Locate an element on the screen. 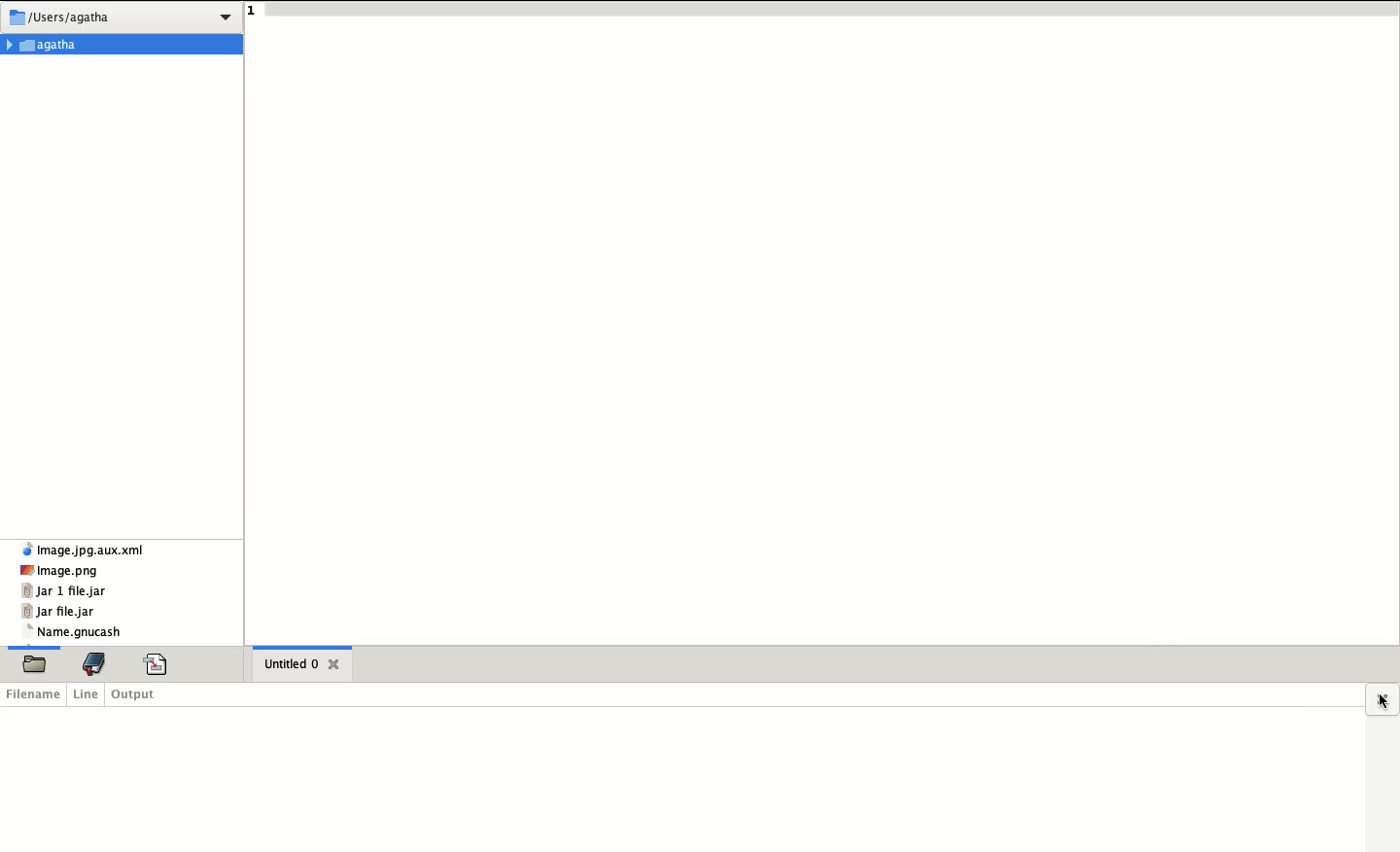  line is located at coordinates (85, 695).